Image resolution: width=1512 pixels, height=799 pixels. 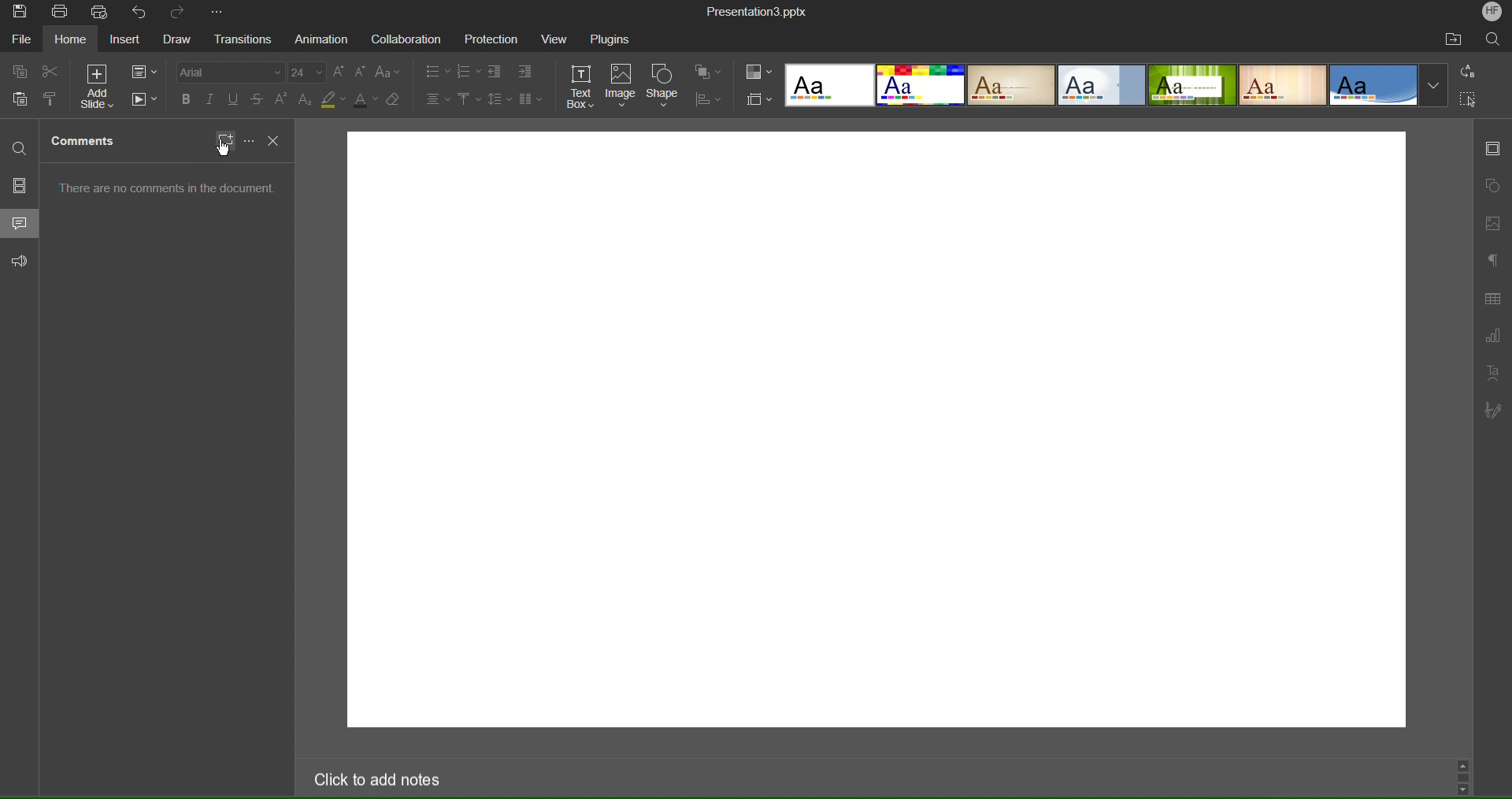 I want to click on Draw, so click(x=176, y=40).